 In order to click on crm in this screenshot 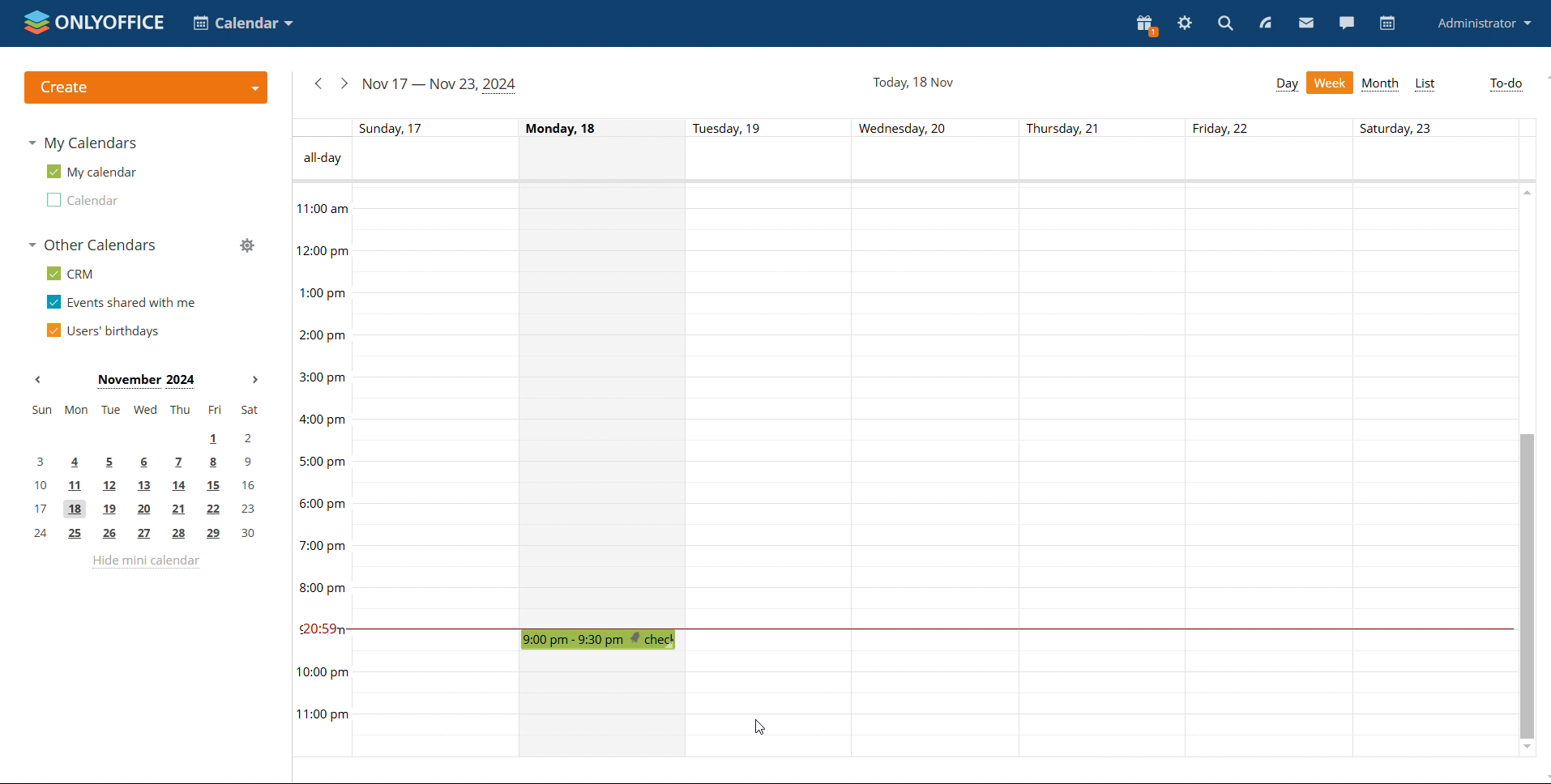, I will do `click(72, 273)`.